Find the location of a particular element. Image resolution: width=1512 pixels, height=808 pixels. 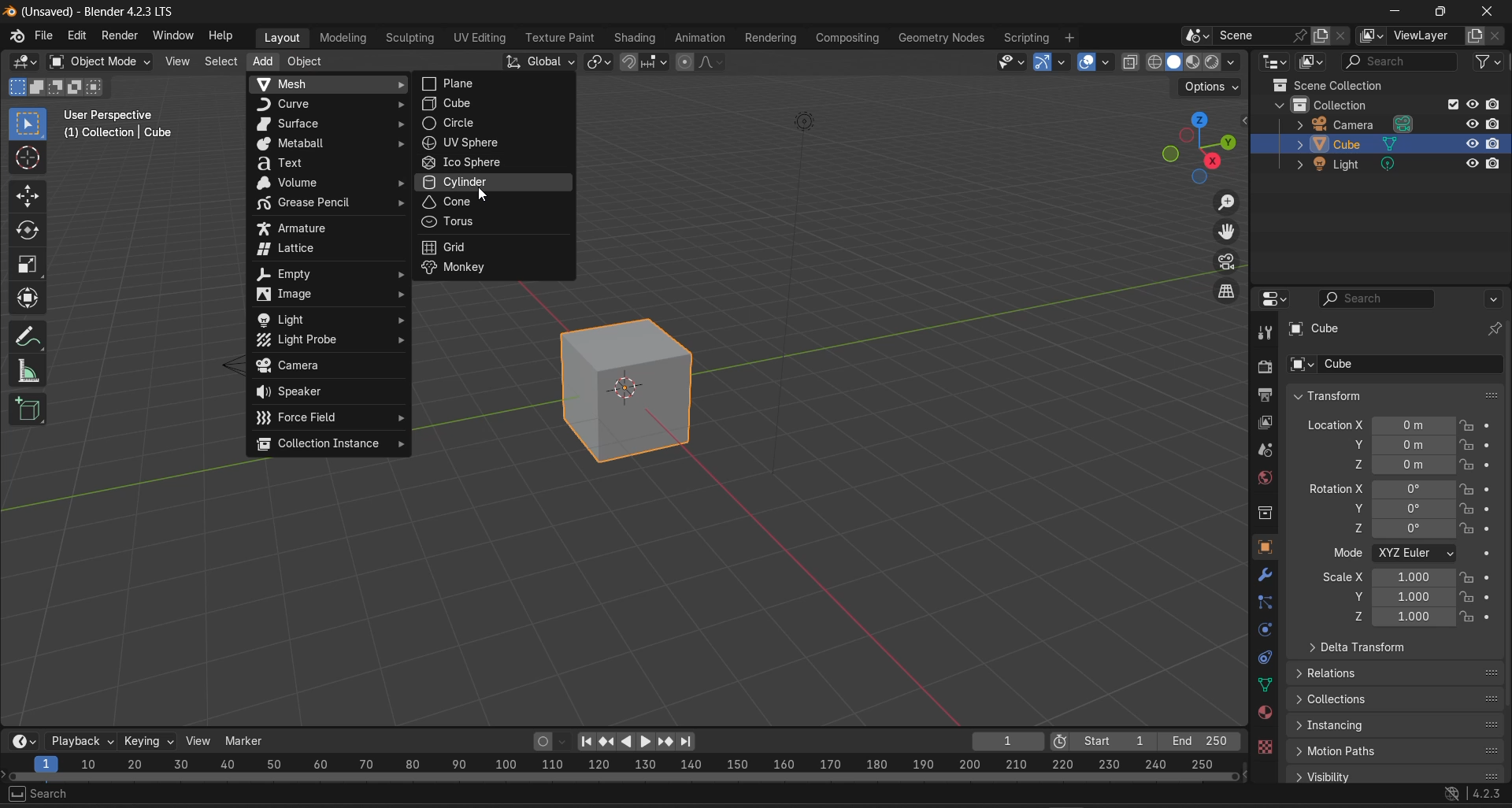

particles is located at coordinates (1267, 602).